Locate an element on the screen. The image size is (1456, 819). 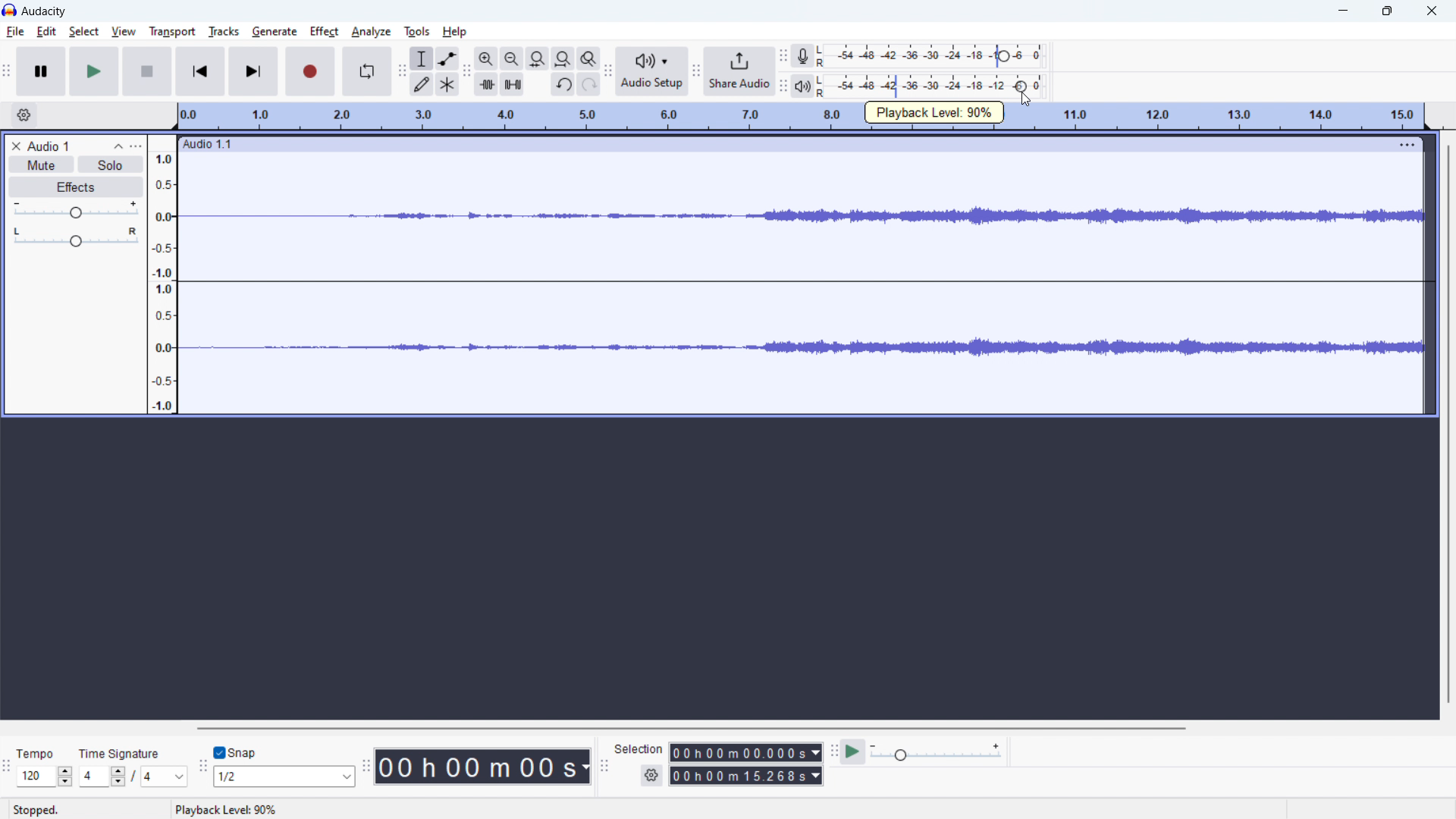
zoom in is located at coordinates (486, 58).